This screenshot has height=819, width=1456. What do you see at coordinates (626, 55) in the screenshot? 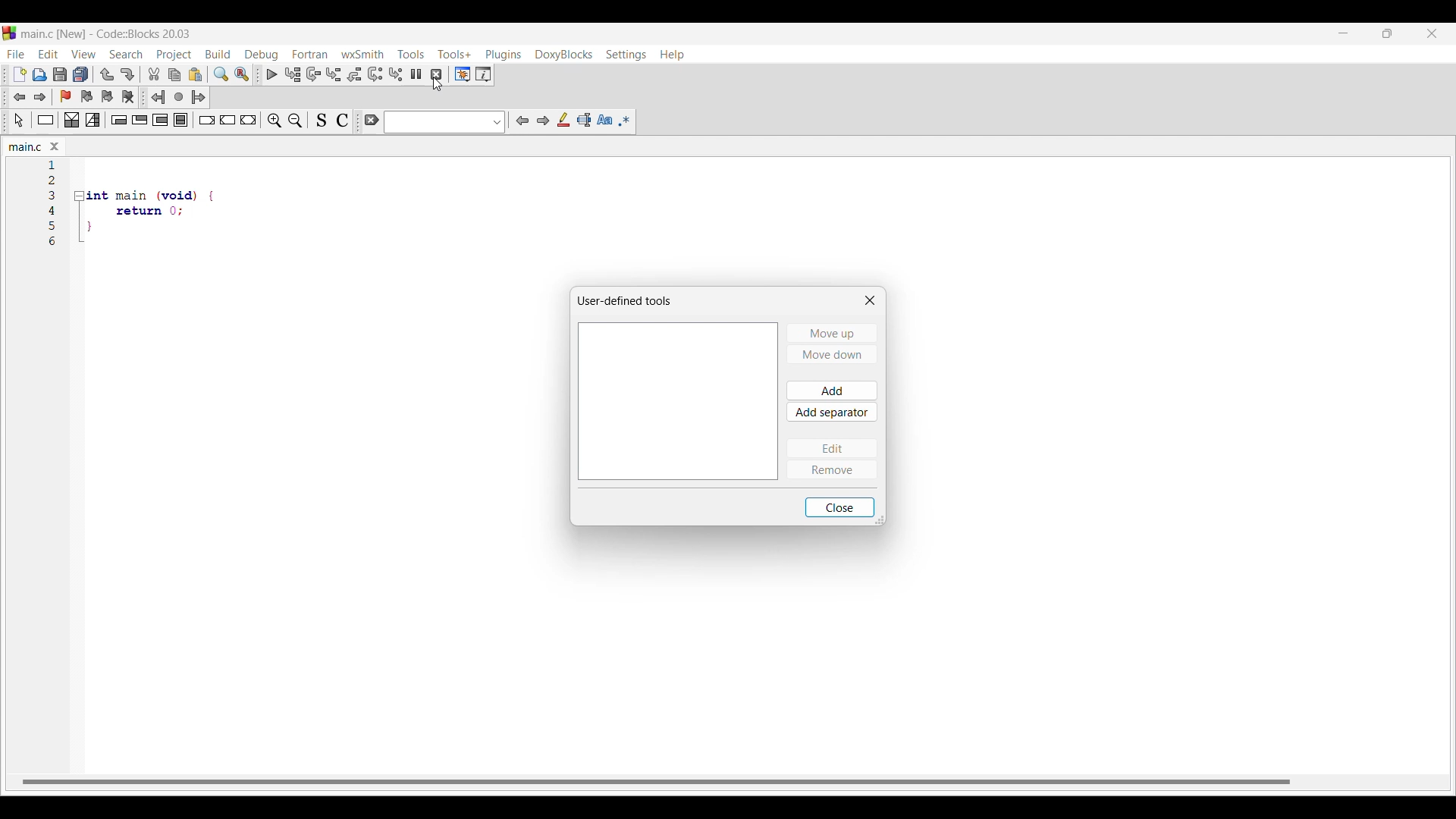
I see `Settings menu` at bounding box center [626, 55].